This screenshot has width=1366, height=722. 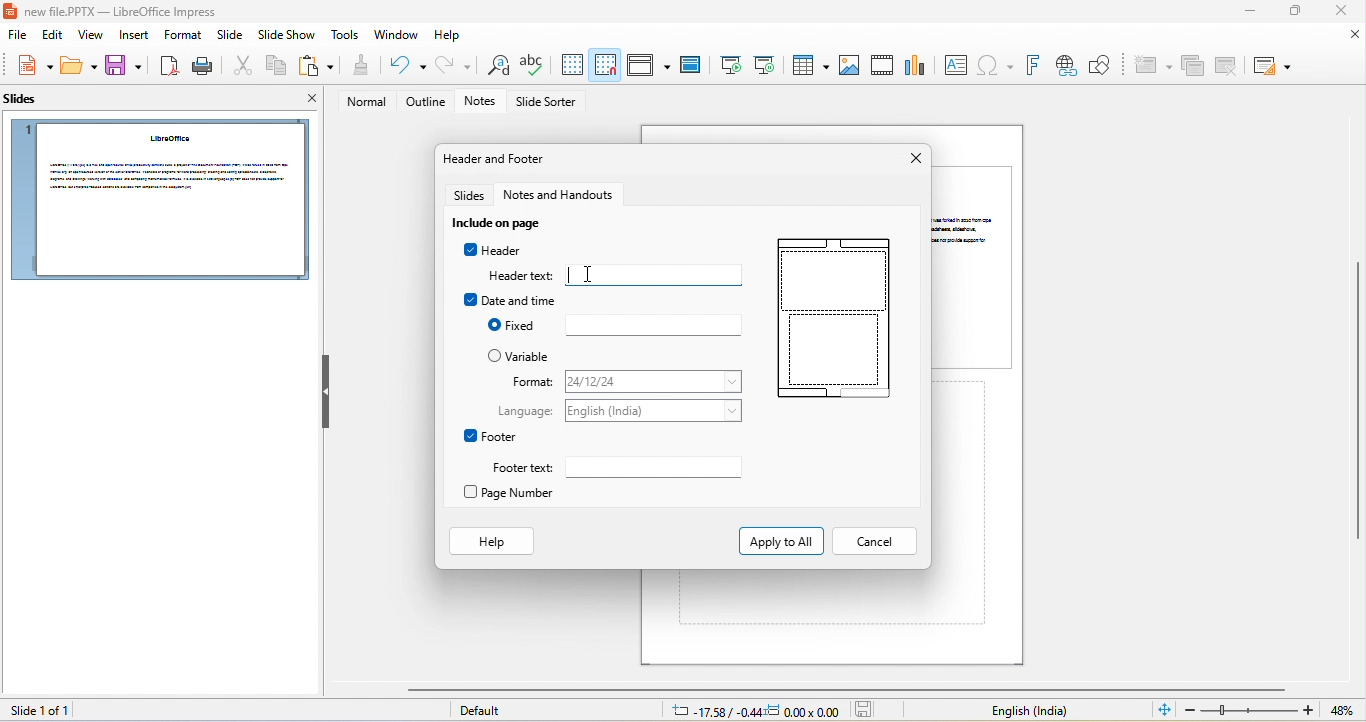 I want to click on special character, so click(x=995, y=66).